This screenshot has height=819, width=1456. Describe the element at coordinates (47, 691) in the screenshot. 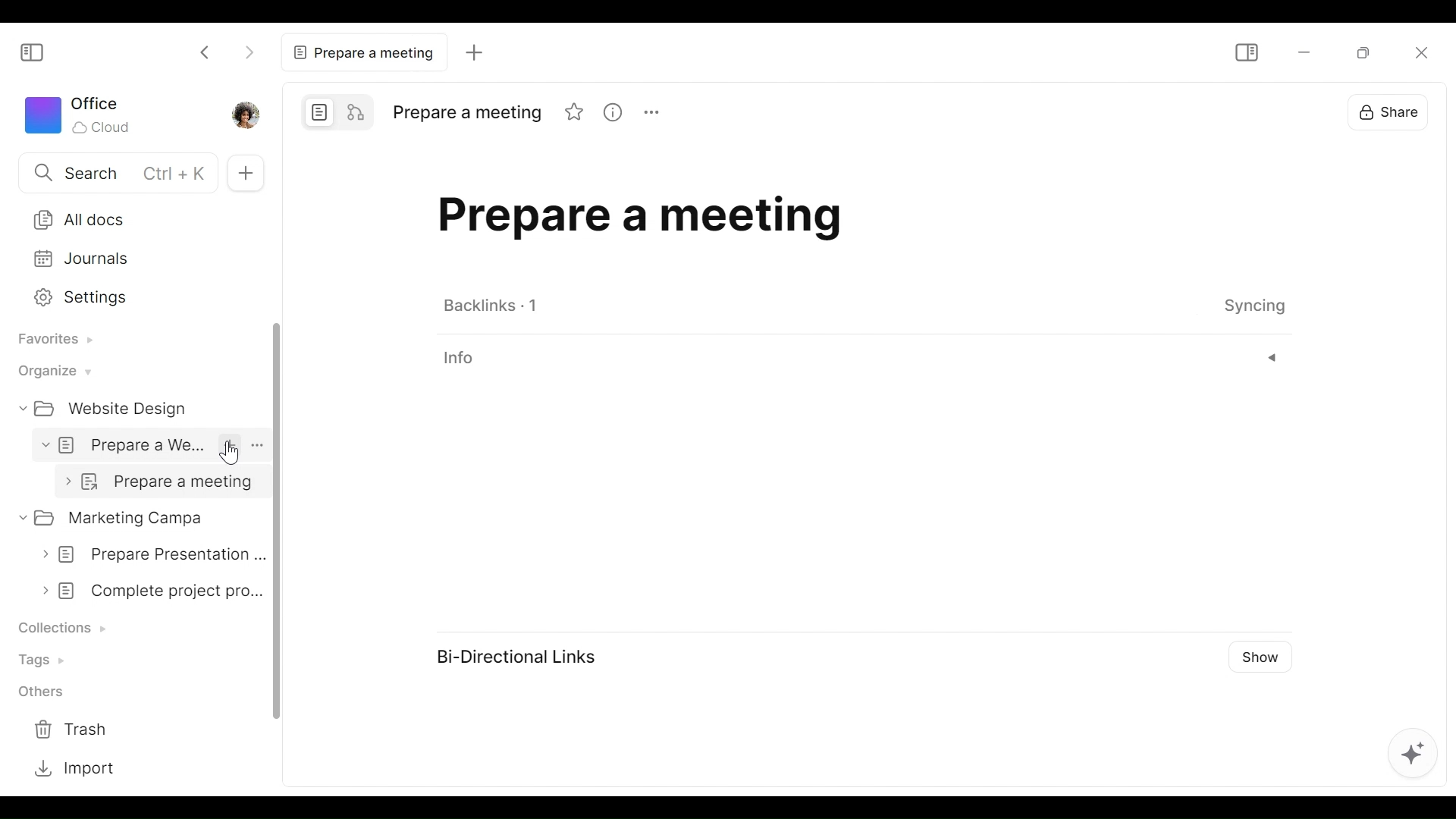

I see `Other` at that location.